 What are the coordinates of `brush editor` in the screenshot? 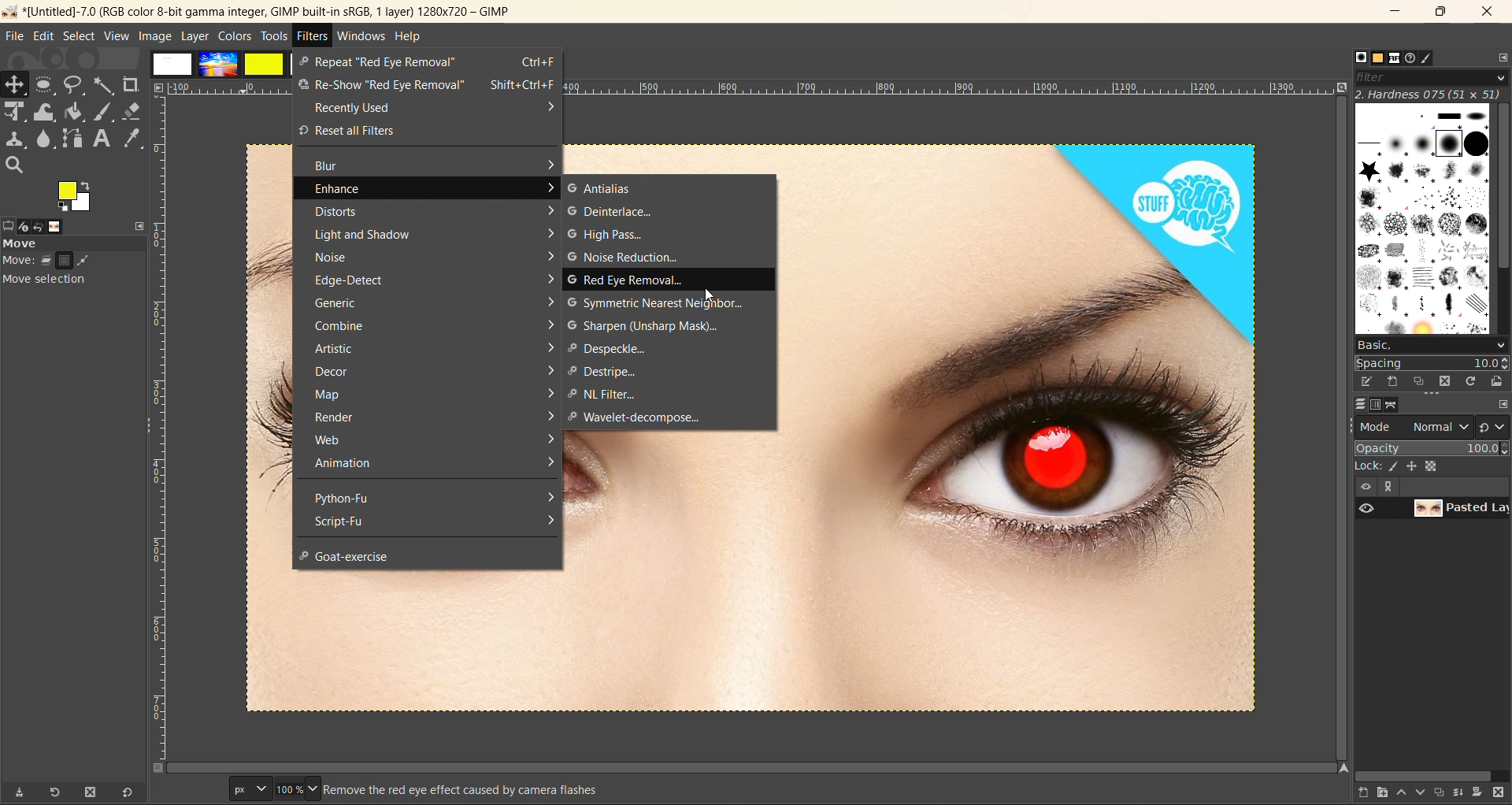 It's located at (1434, 59).